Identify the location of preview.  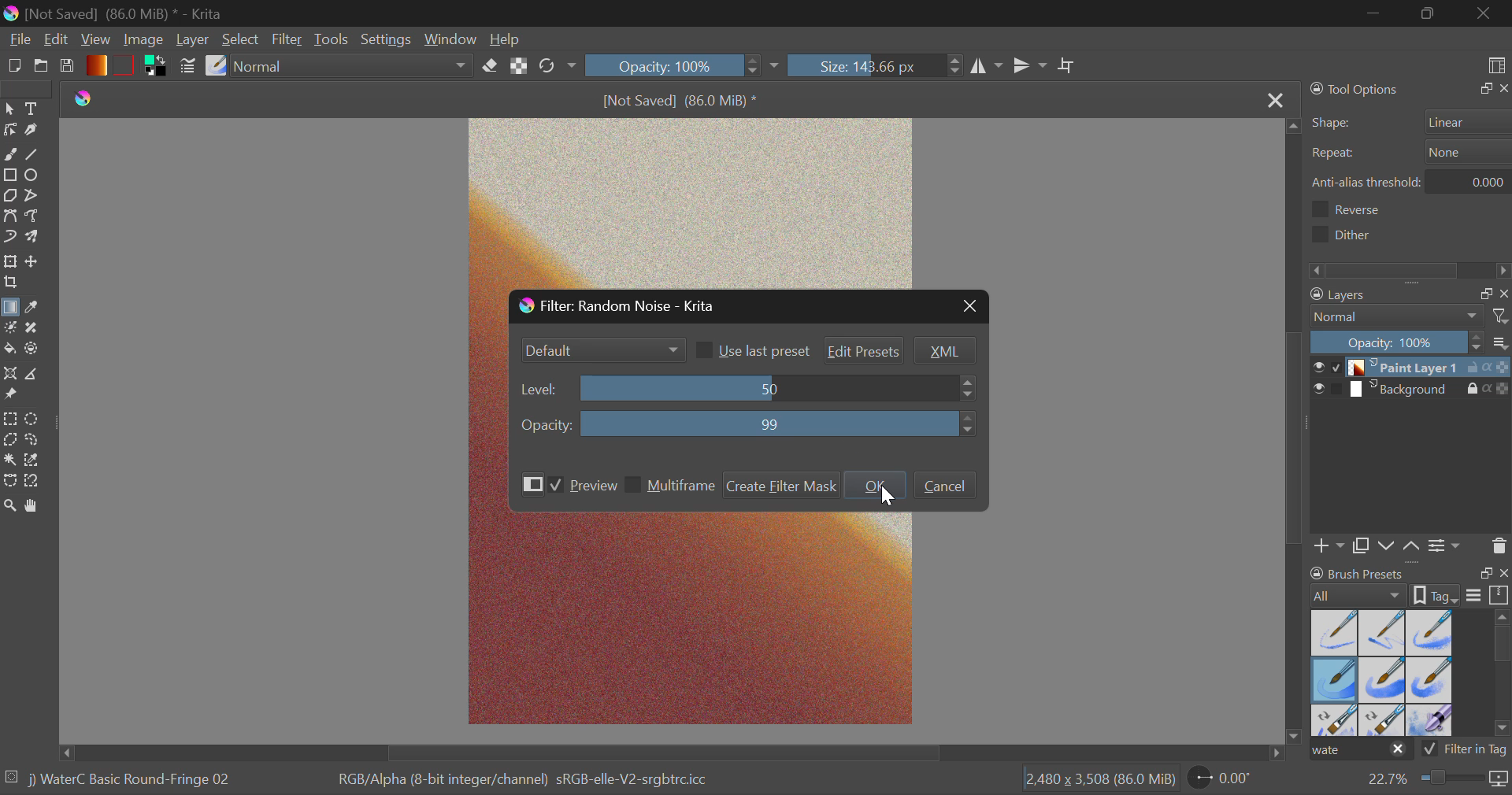
(1316, 368).